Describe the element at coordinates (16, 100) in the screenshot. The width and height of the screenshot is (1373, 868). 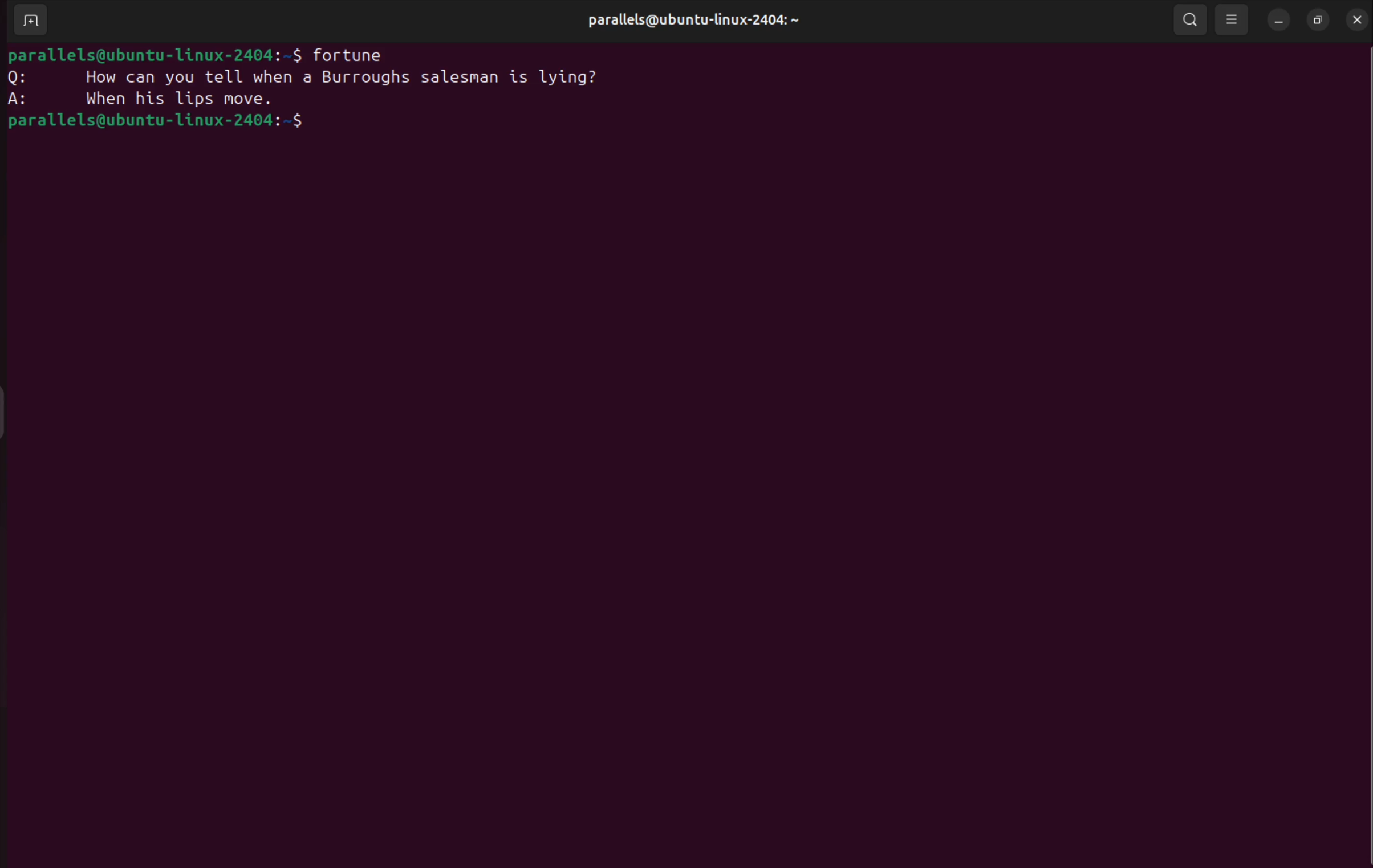
I see `answer` at that location.